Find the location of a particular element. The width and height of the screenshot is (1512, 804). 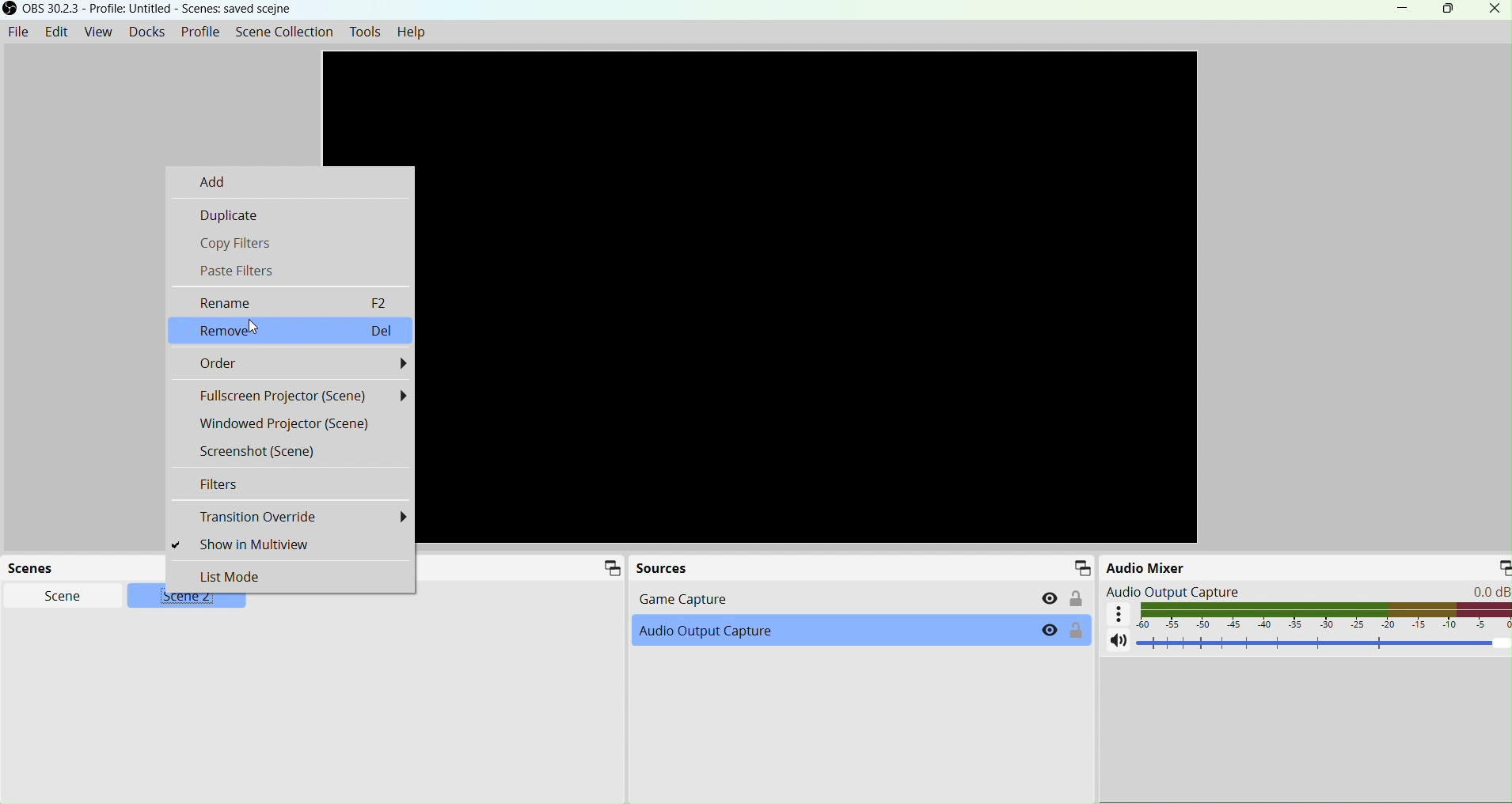

Help is located at coordinates (412, 32).